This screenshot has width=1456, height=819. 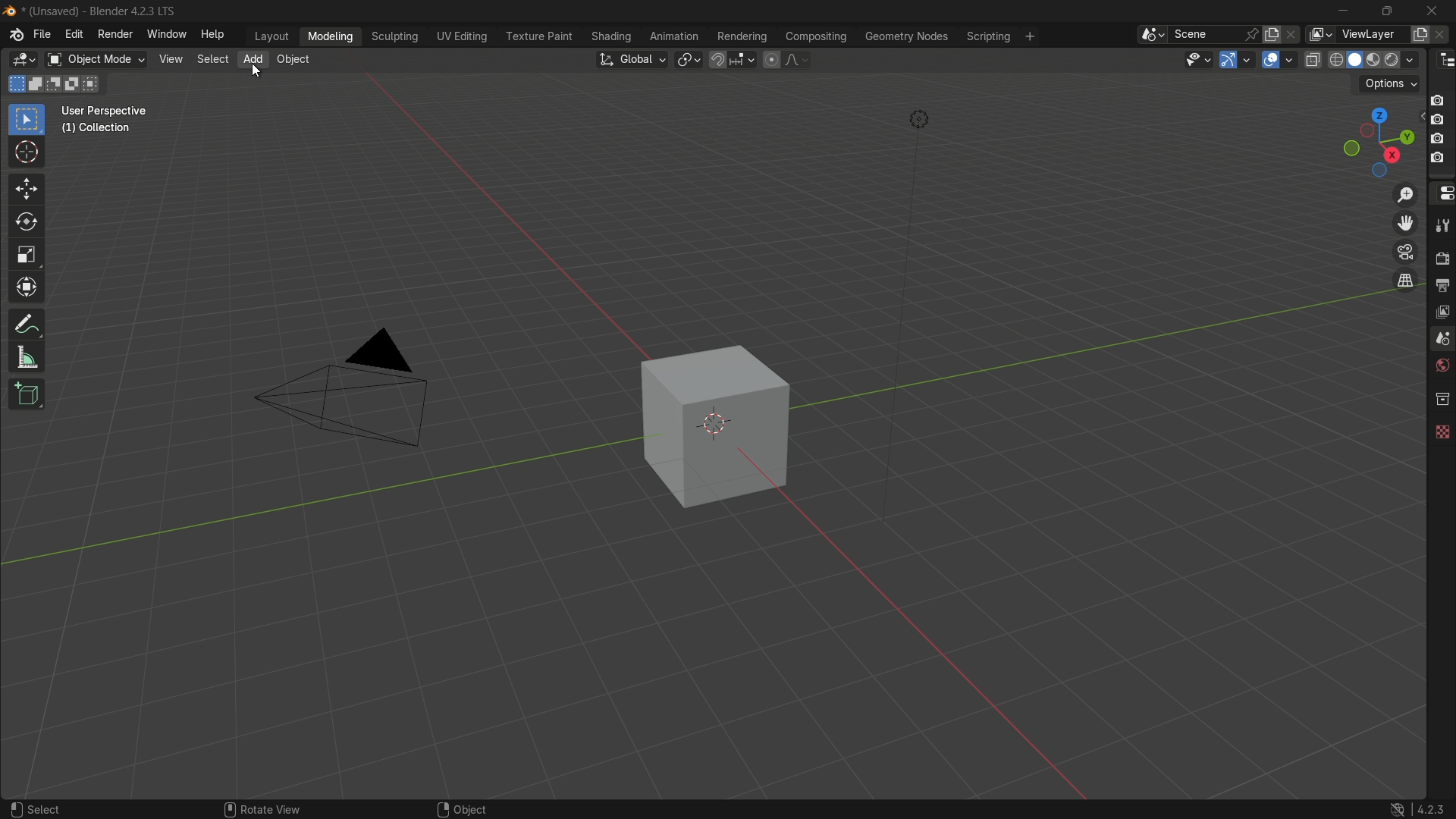 What do you see at coordinates (1253, 35) in the screenshot?
I see `pin scene to workplace` at bounding box center [1253, 35].